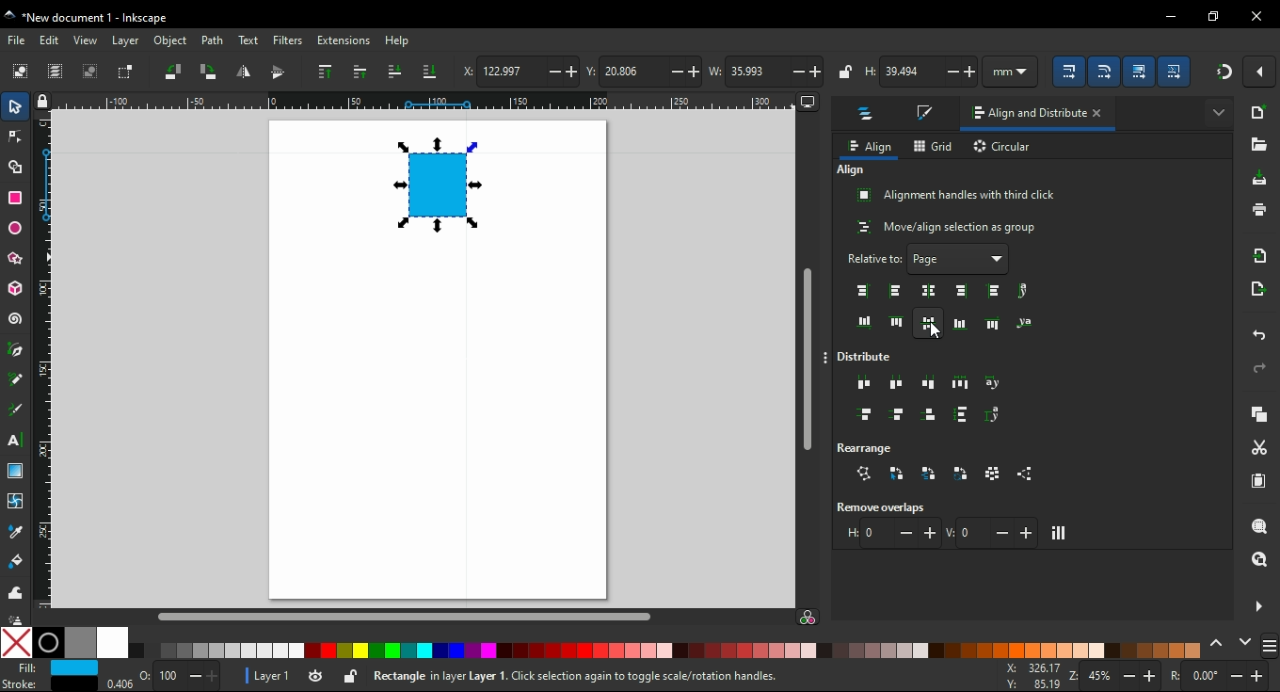  Describe the element at coordinates (15, 137) in the screenshot. I see `node tools` at that location.